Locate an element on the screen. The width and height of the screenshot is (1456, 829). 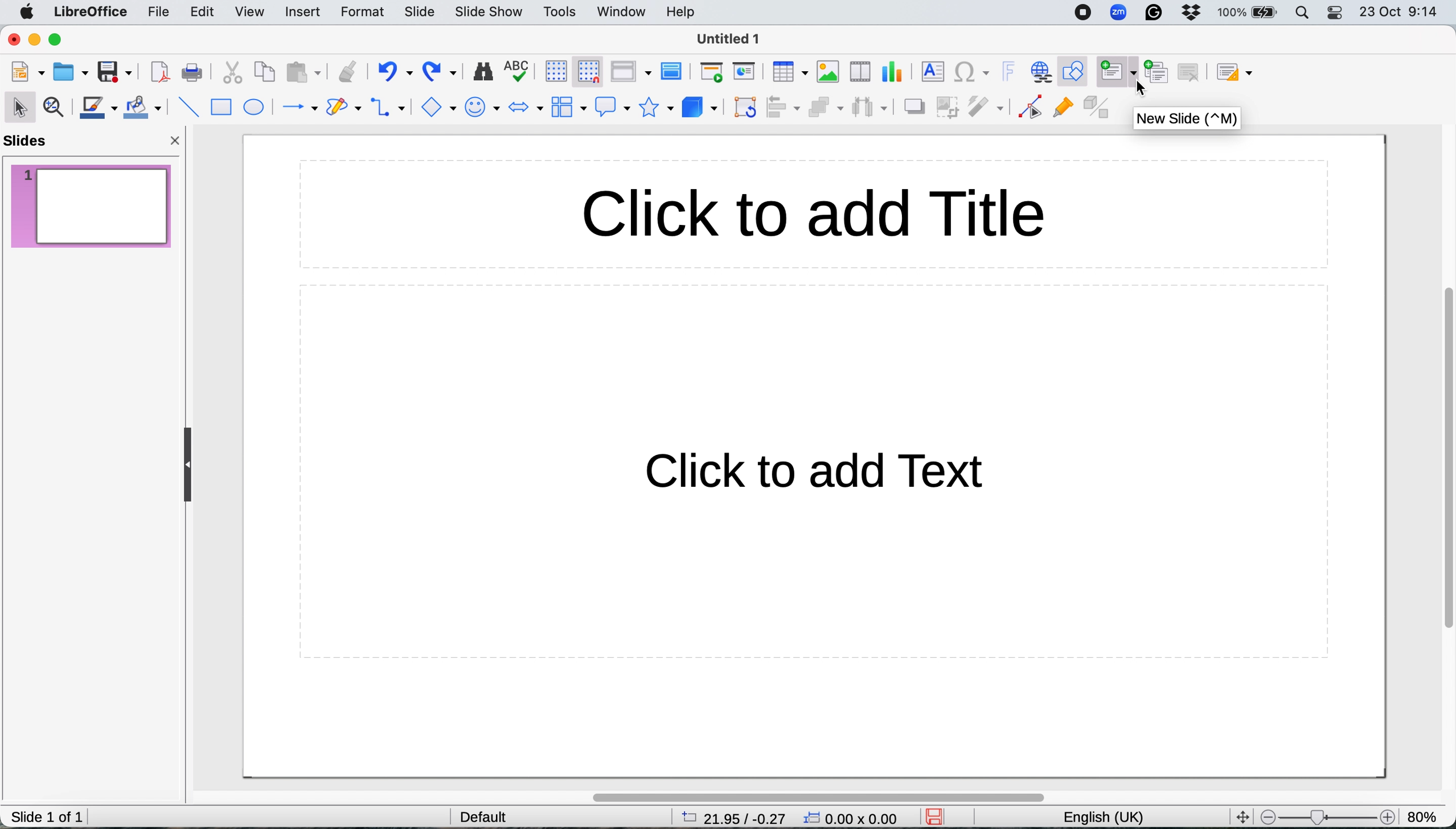
screen recorder is located at coordinates (1082, 14).